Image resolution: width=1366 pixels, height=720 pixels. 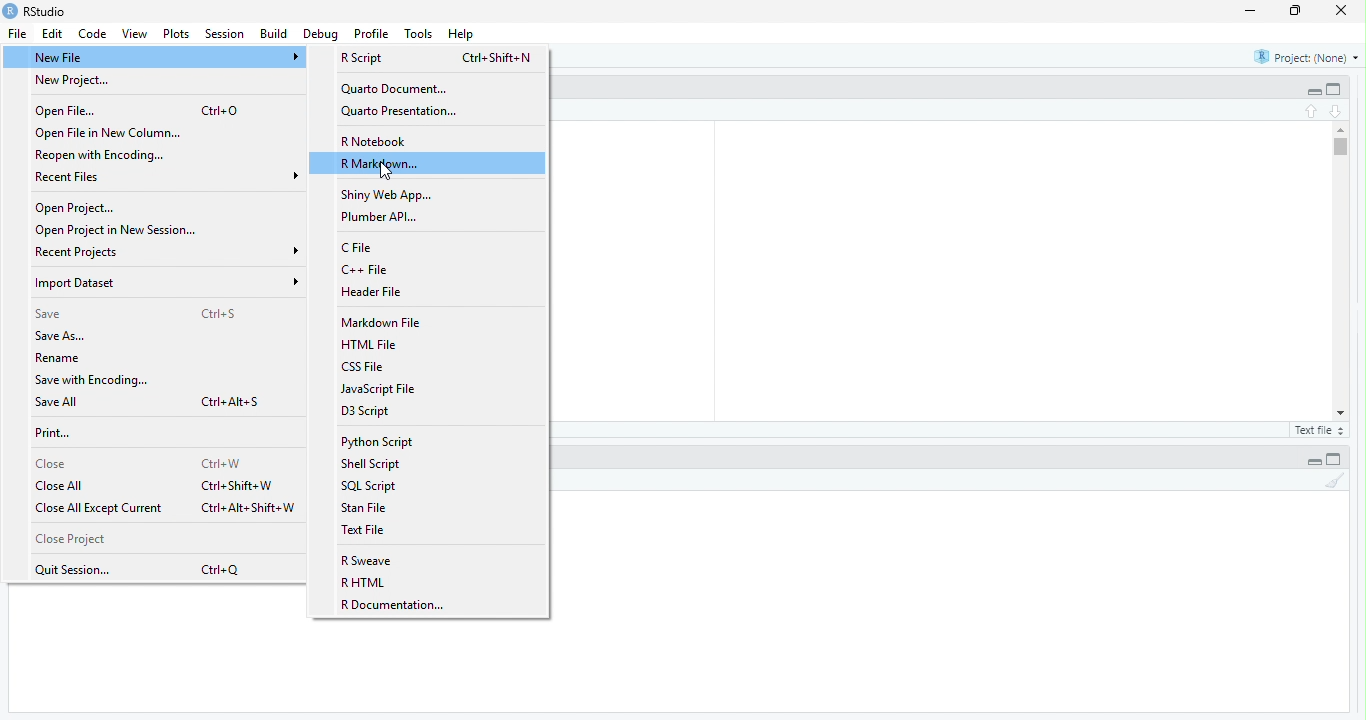 What do you see at coordinates (387, 195) in the screenshot?
I see `Shiny Web App.` at bounding box center [387, 195].